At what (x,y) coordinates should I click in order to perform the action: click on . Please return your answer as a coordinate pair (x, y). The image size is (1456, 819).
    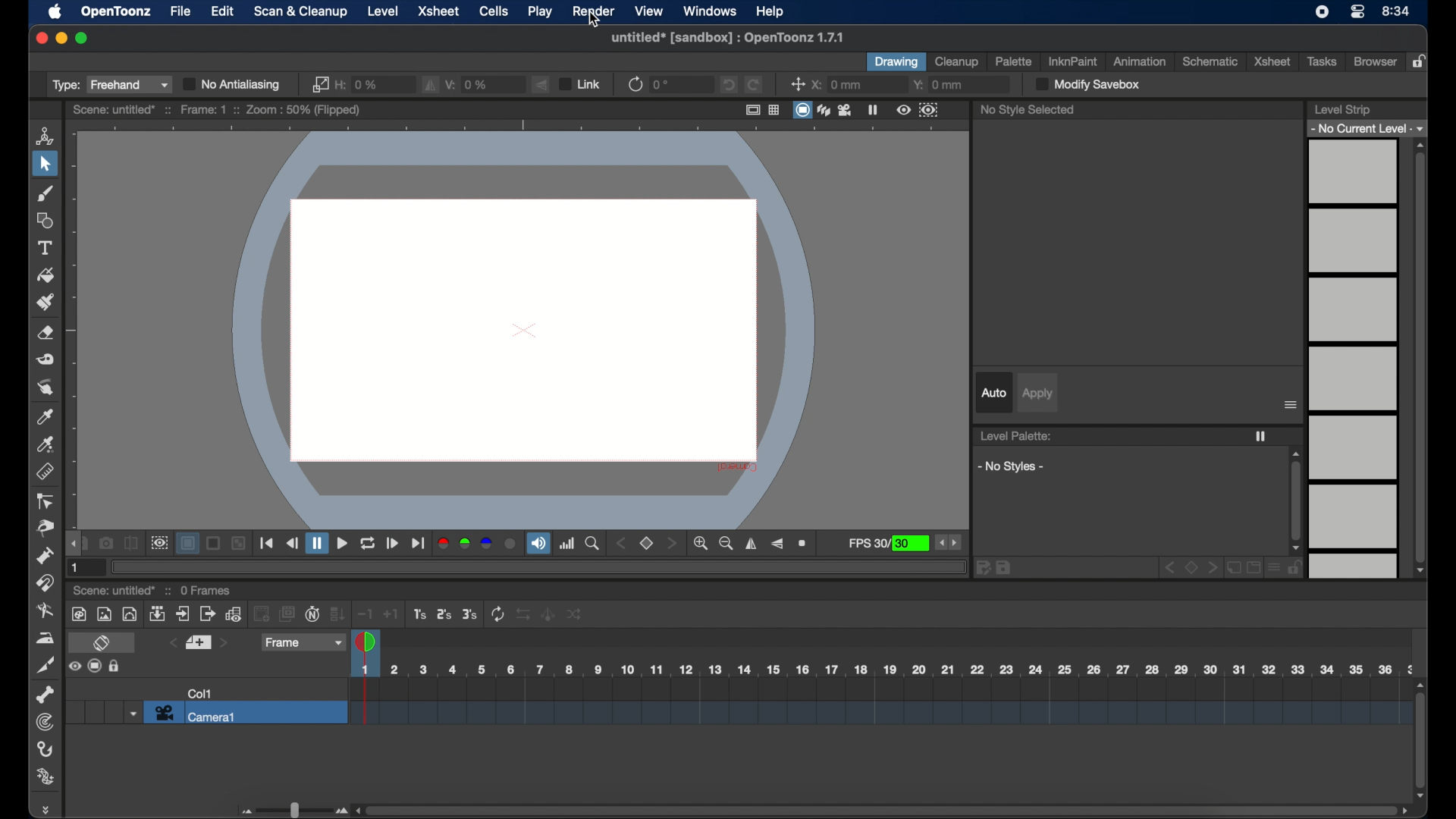
    Looking at the image, I should click on (75, 666).